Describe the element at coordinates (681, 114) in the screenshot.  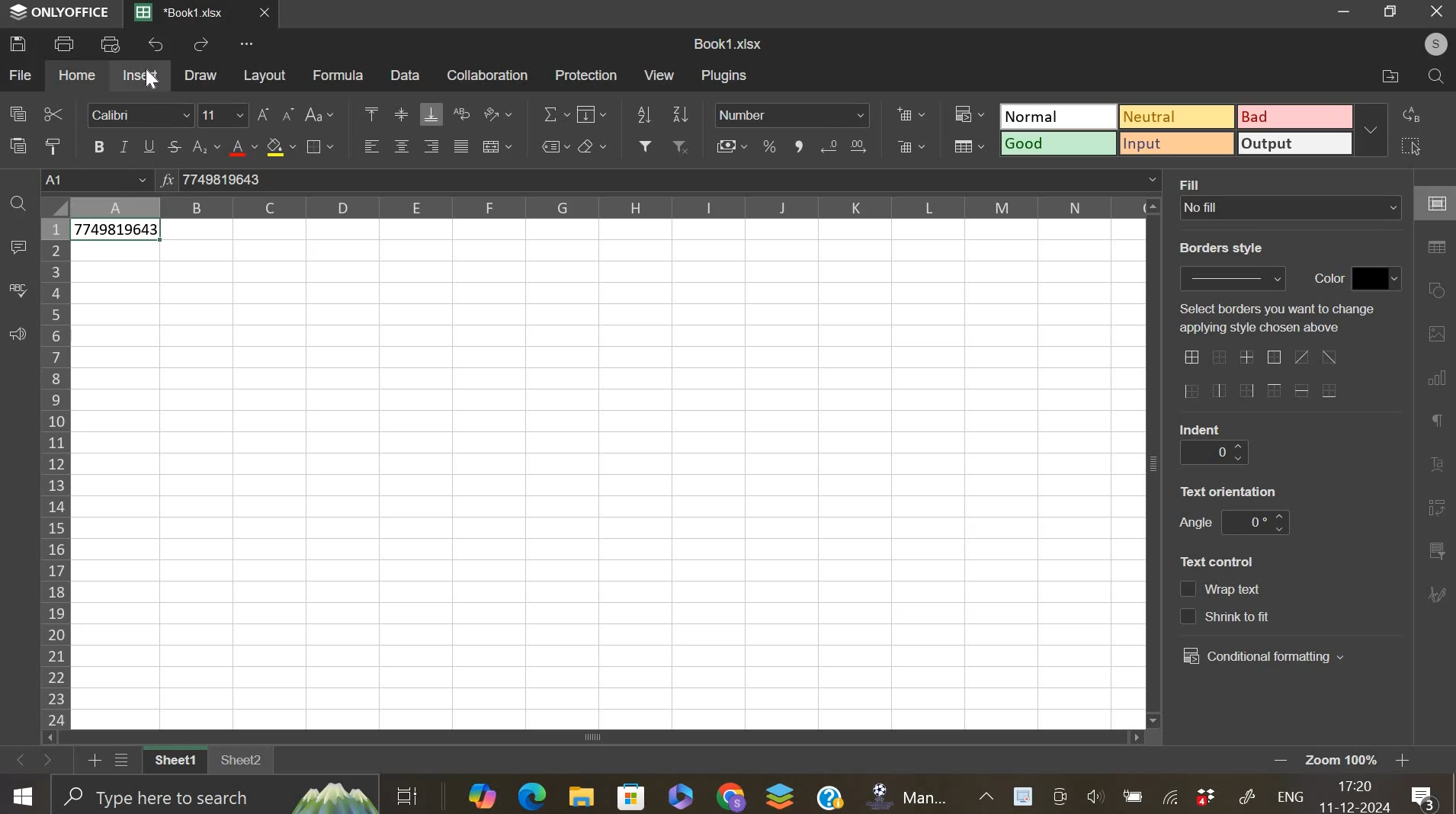
I see `sort descending` at that location.